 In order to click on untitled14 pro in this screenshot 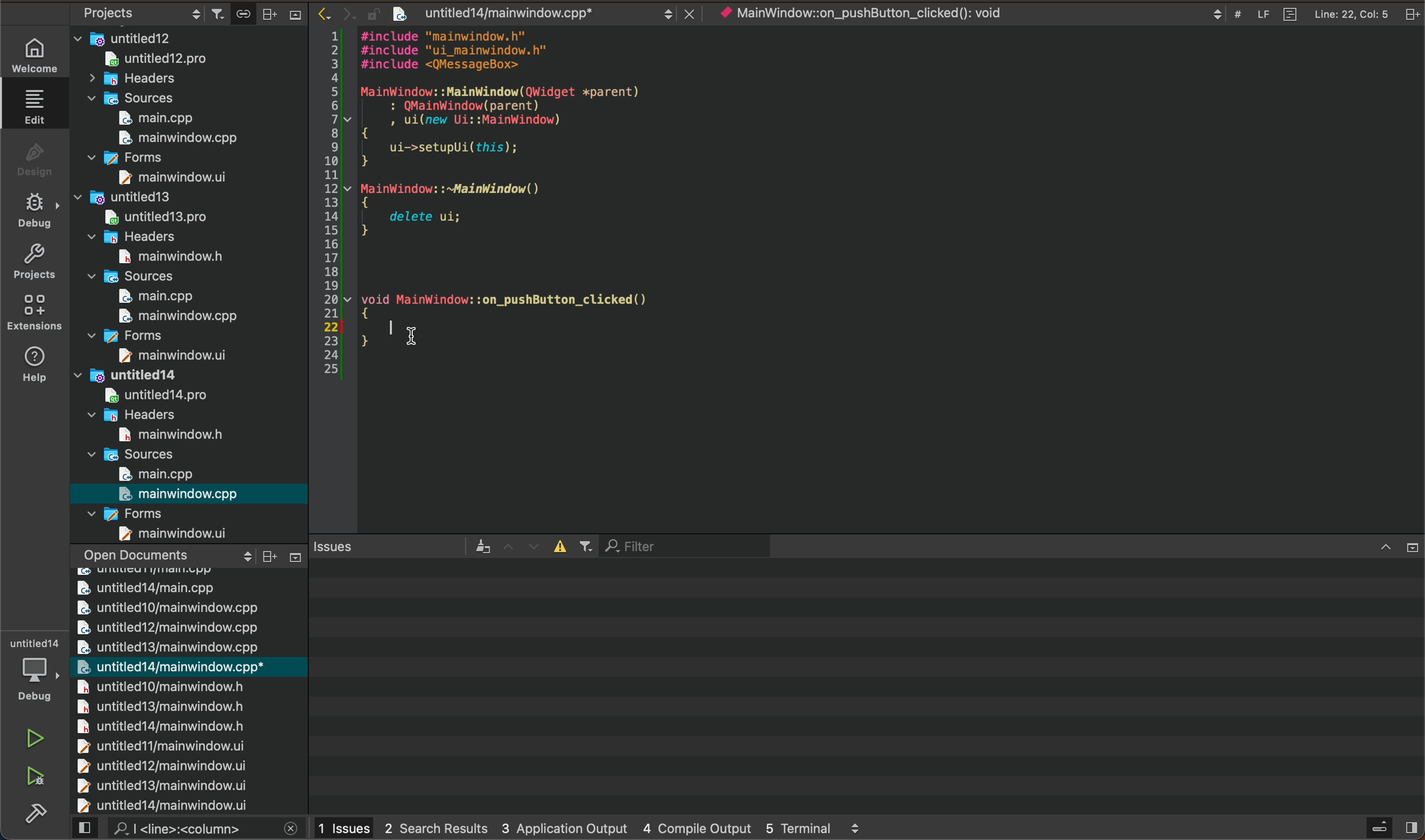, I will do `click(144, 393)`.